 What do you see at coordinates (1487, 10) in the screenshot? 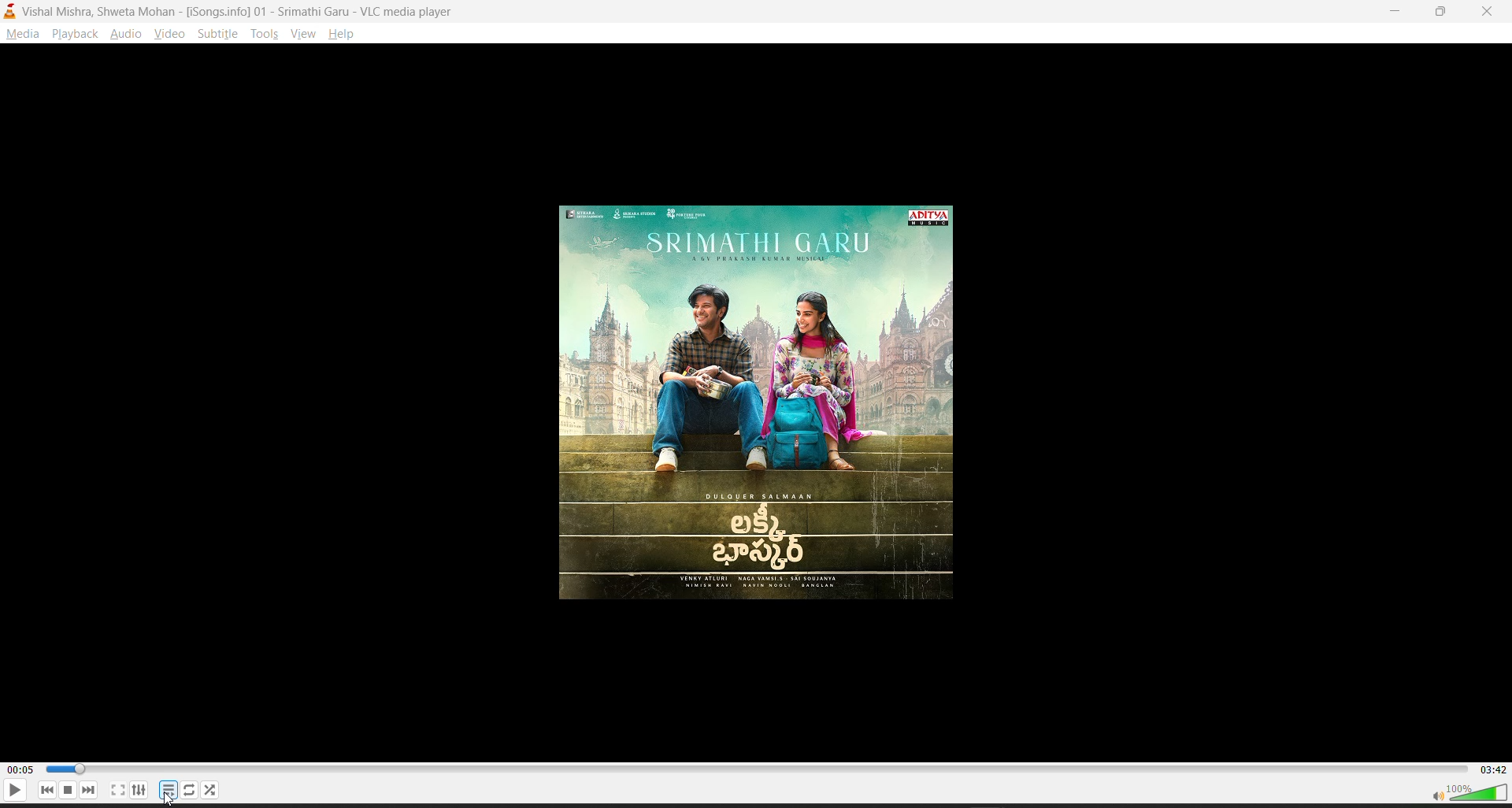
I see `close` at bounding box center [1487, 10].